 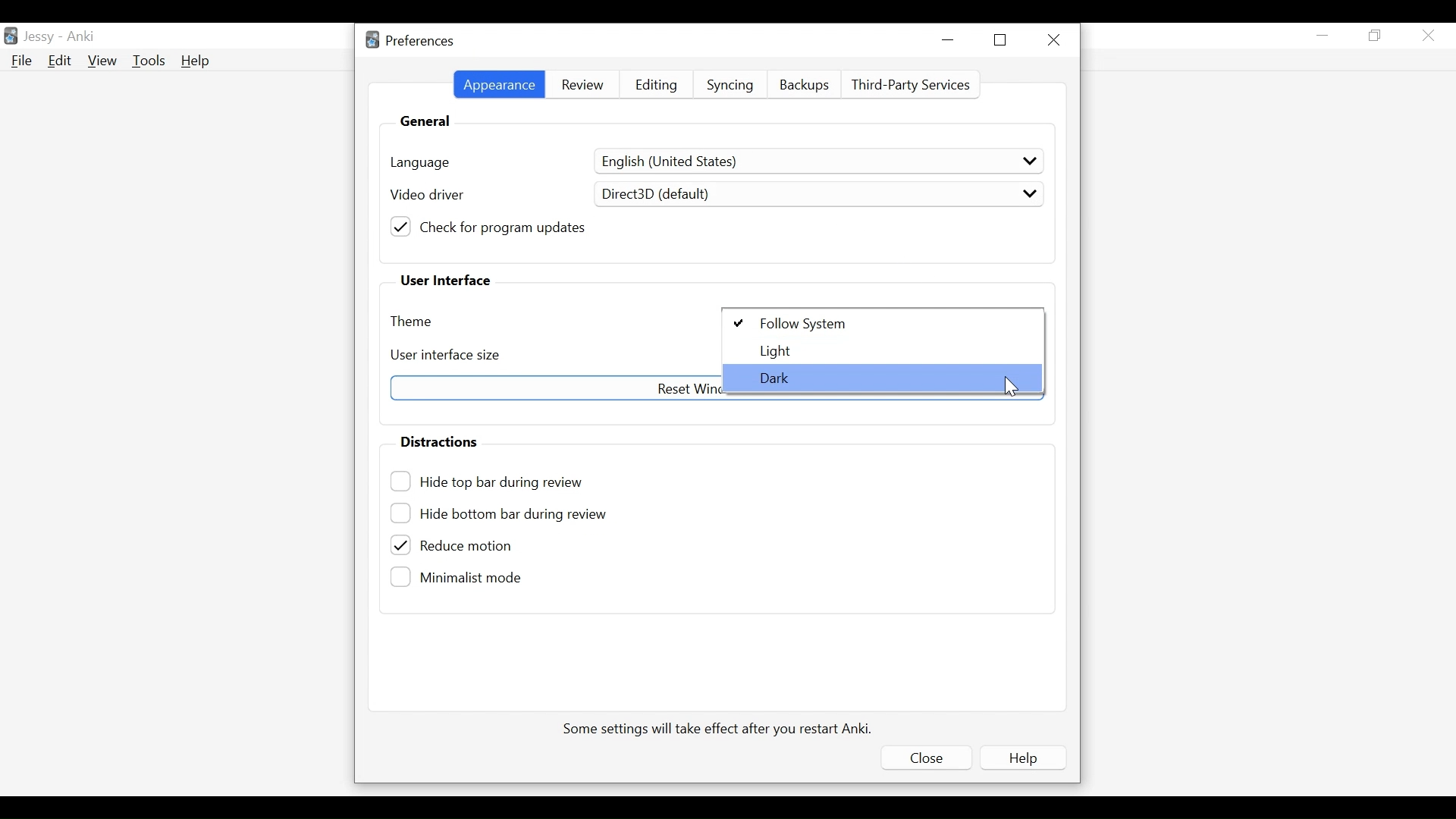 I want to click on Editing, so click(x=657, y=86).